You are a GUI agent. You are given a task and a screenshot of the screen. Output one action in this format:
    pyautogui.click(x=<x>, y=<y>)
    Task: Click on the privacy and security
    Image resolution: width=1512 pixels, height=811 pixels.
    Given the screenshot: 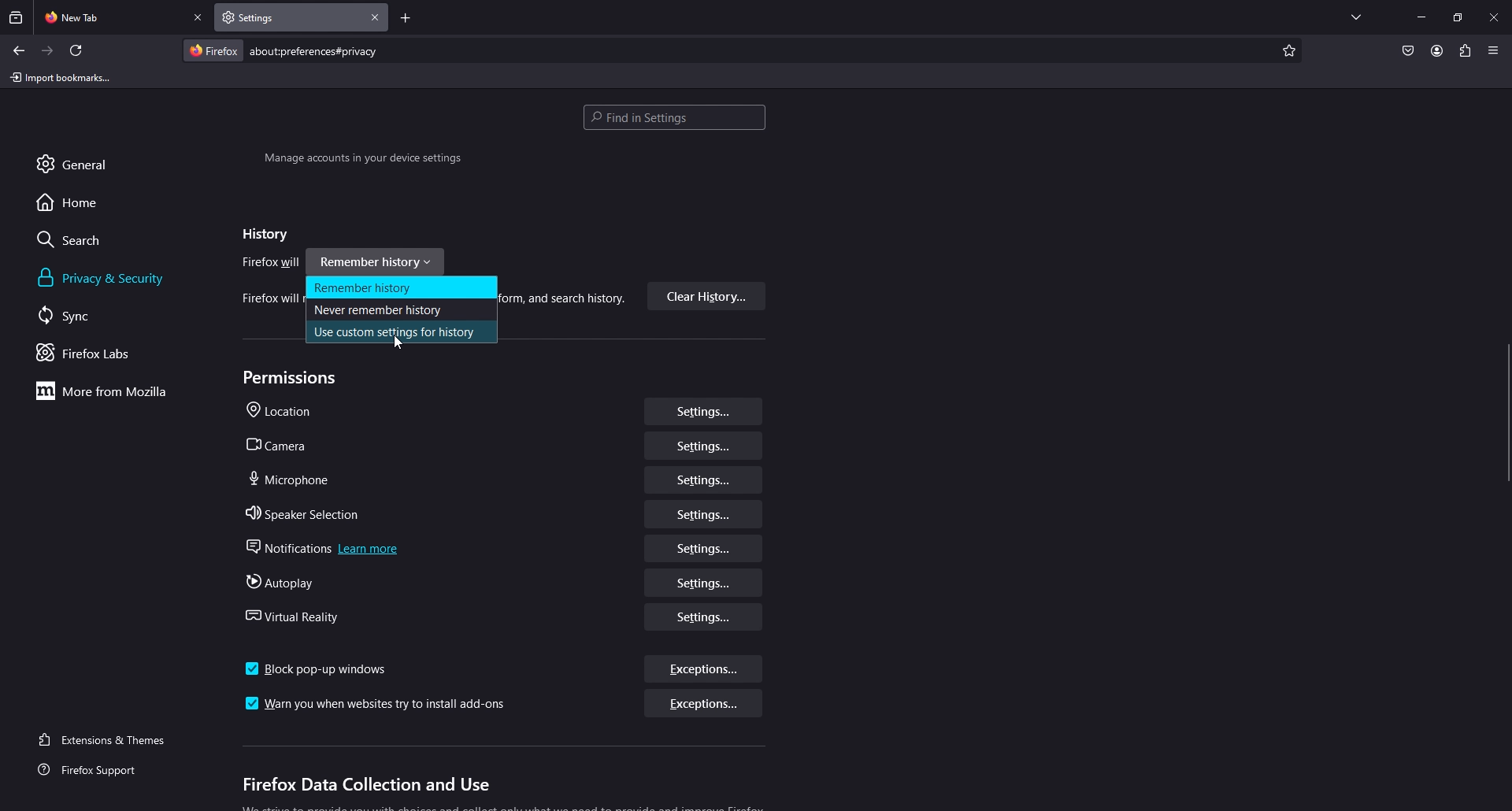 What is the action you would take?
    pyautogui.click(x=105, y=278)
    